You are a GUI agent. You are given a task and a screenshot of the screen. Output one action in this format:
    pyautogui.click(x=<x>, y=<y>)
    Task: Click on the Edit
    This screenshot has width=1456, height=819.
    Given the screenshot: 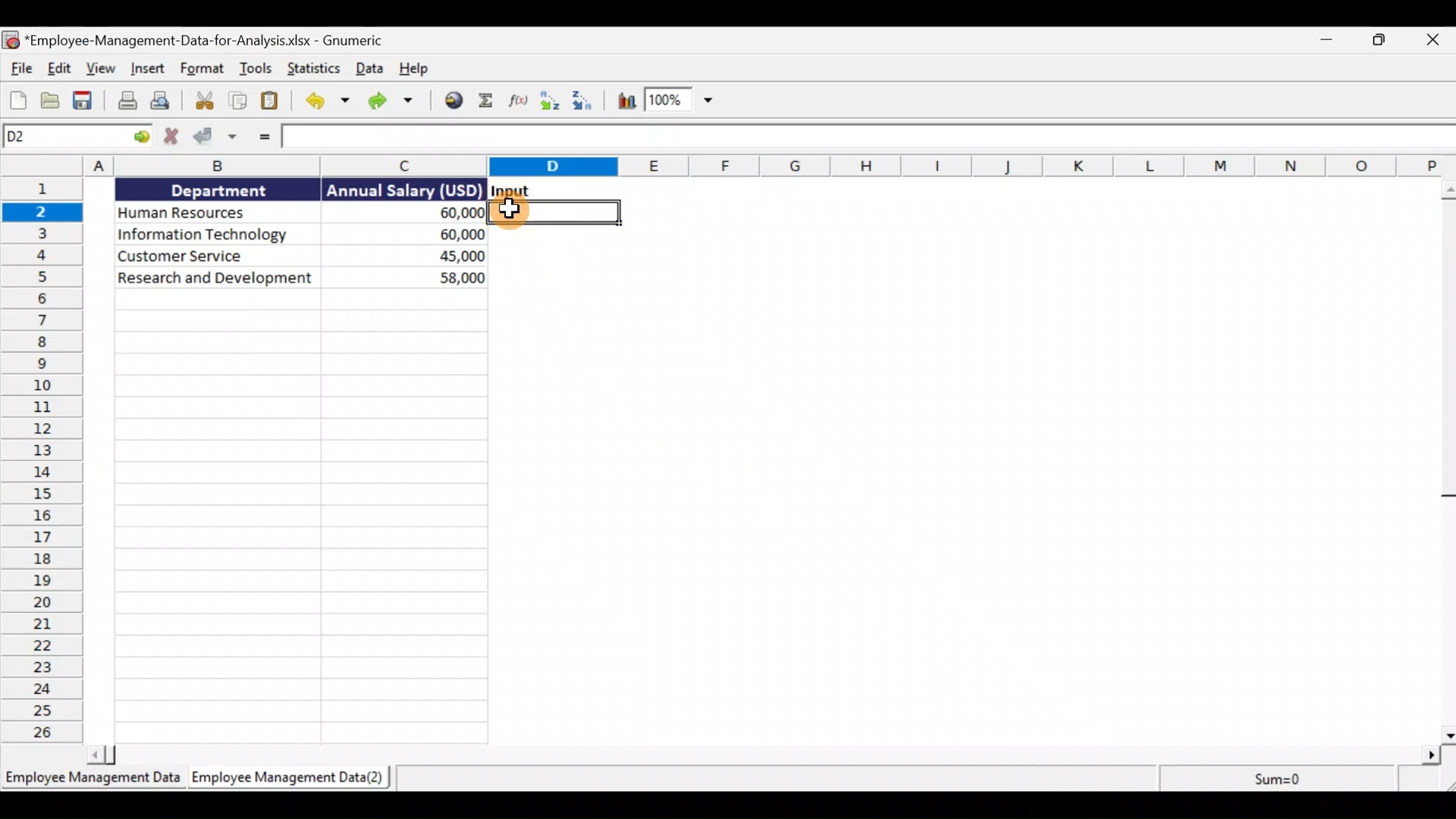 What is the action you would take?
    pyautogui.click(x=61, y=68)
    